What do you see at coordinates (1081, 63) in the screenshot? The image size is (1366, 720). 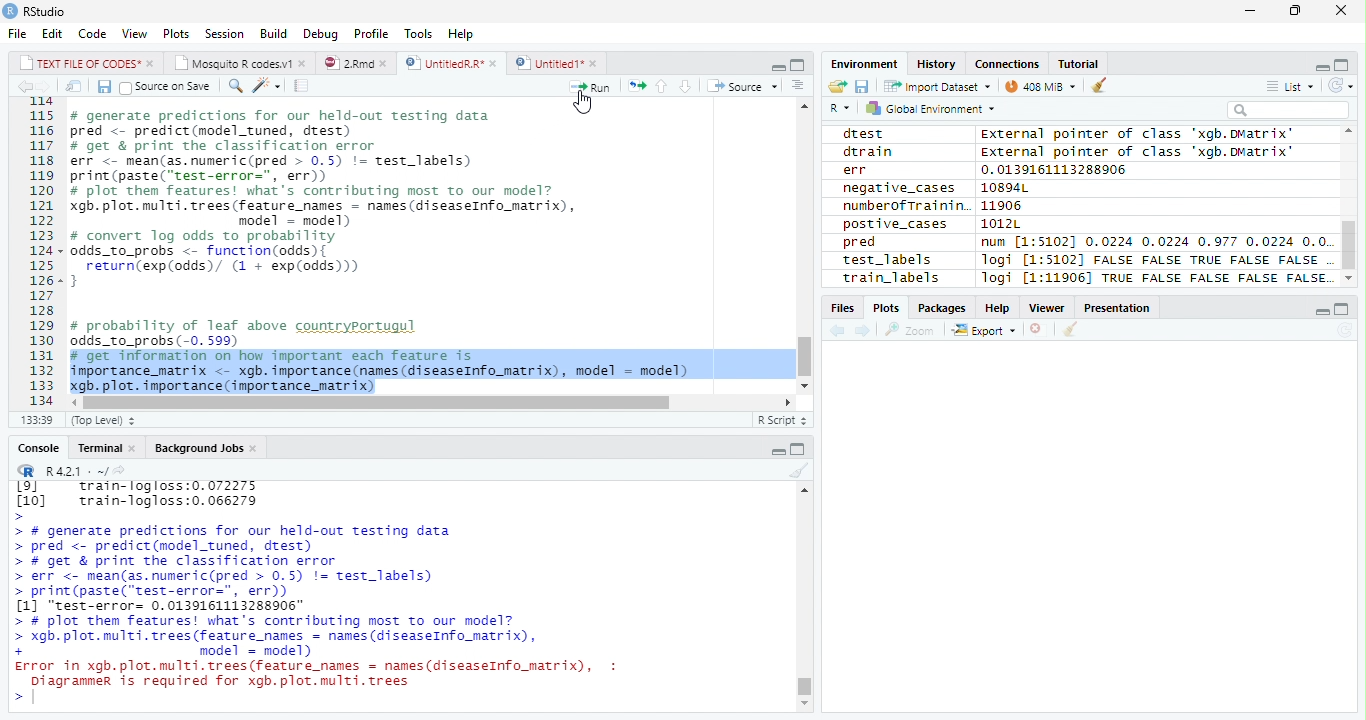 I see `Tutorial` at bounding box center [1081, 63].